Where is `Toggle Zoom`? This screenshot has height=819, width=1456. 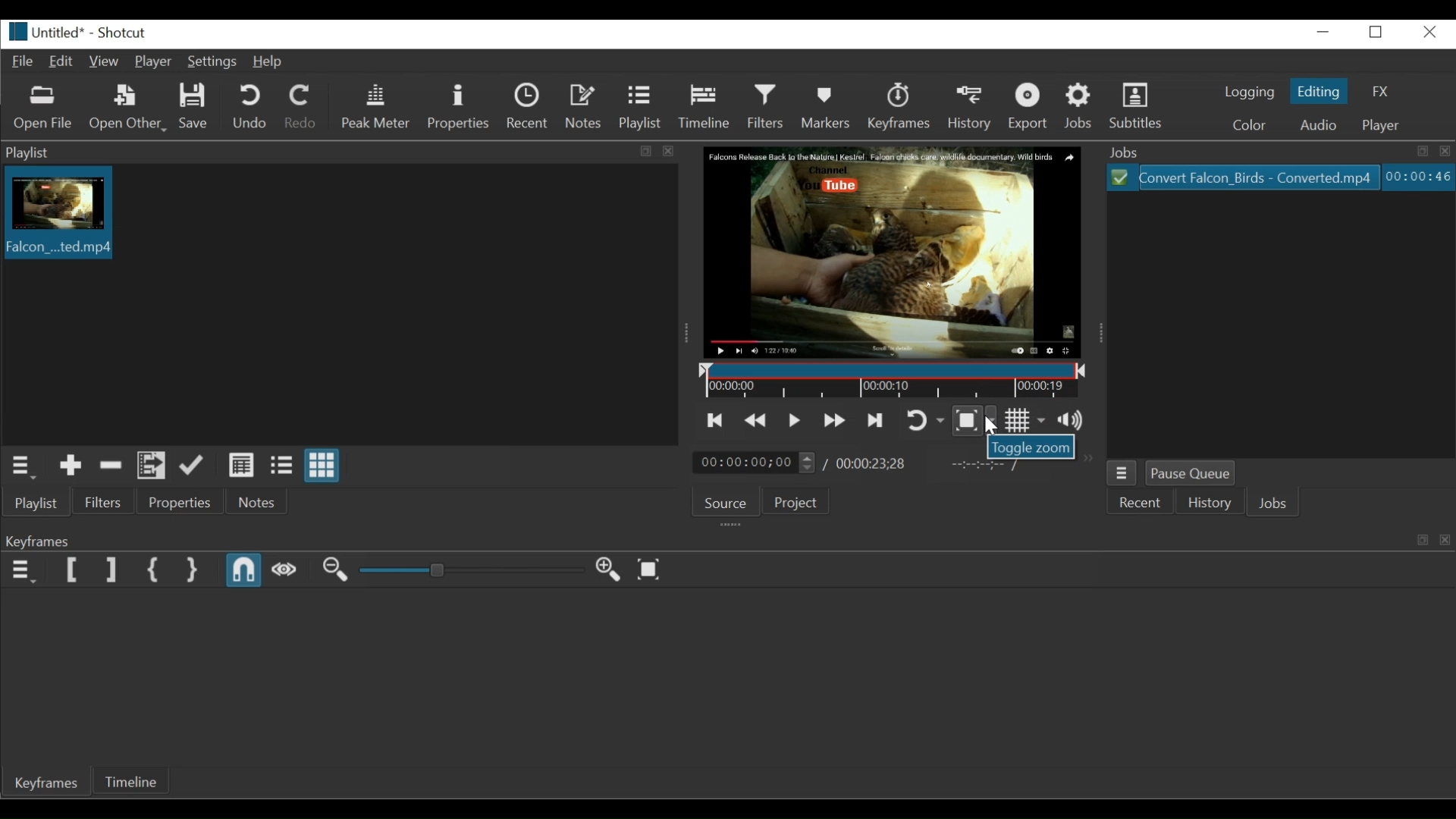
Toggle Zoom is located at coordinates (1036, 447).